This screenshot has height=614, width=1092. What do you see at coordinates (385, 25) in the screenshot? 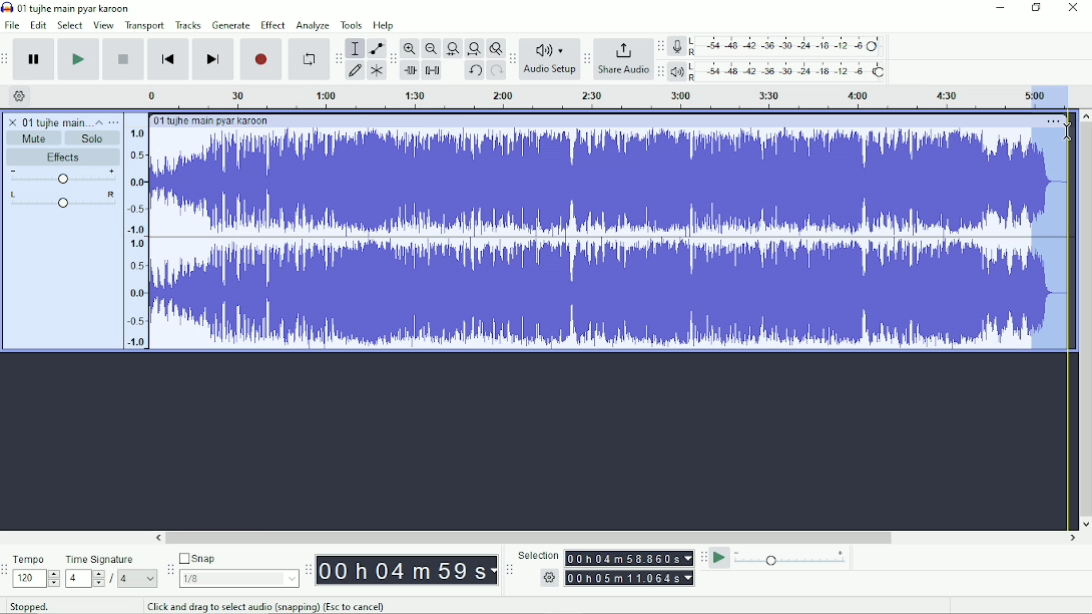
I see `Help` at bounding box center [385, 25].